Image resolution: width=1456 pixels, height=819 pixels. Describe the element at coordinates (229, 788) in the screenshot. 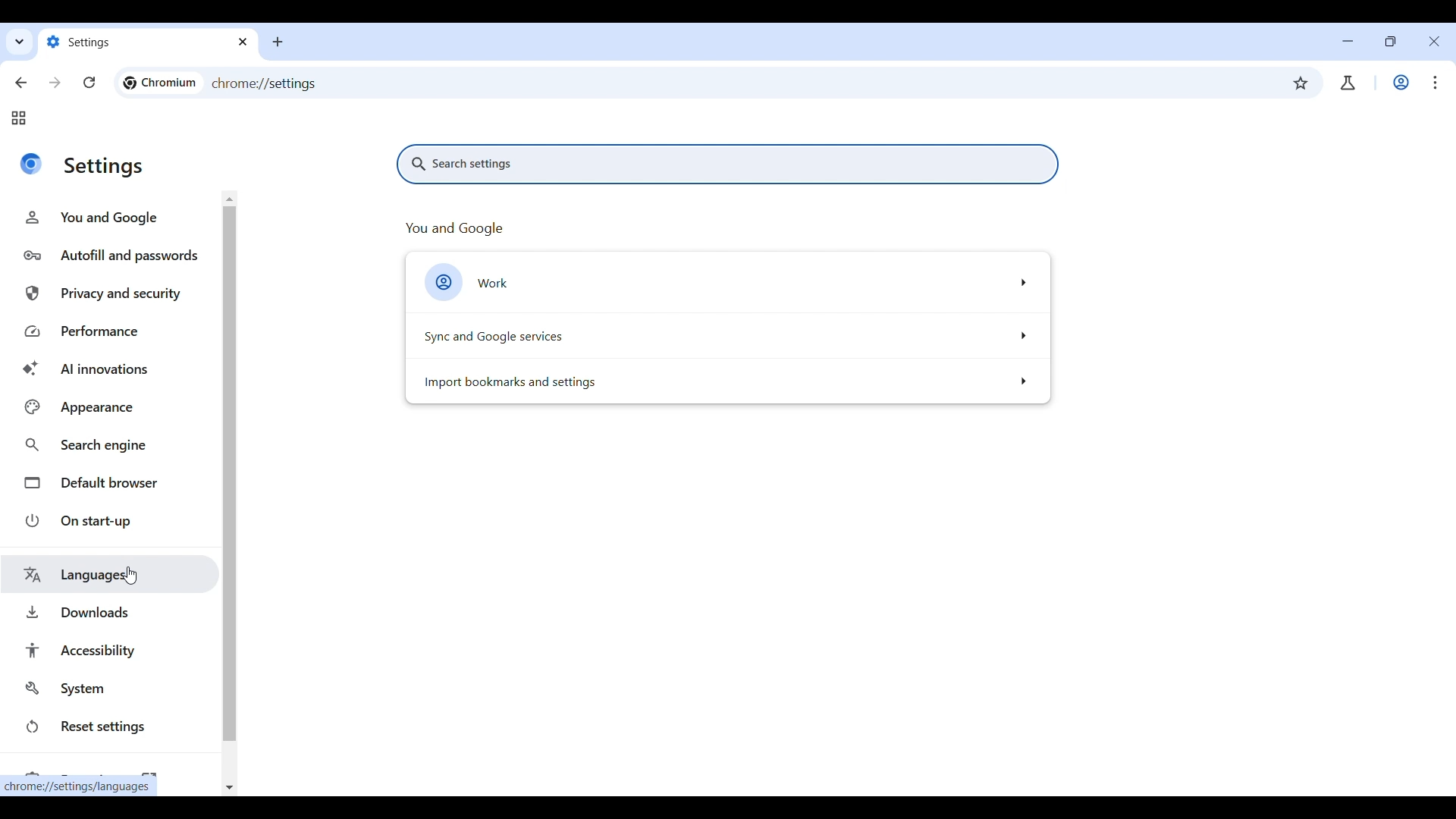

I see `Quick slide to bottom` at that location.